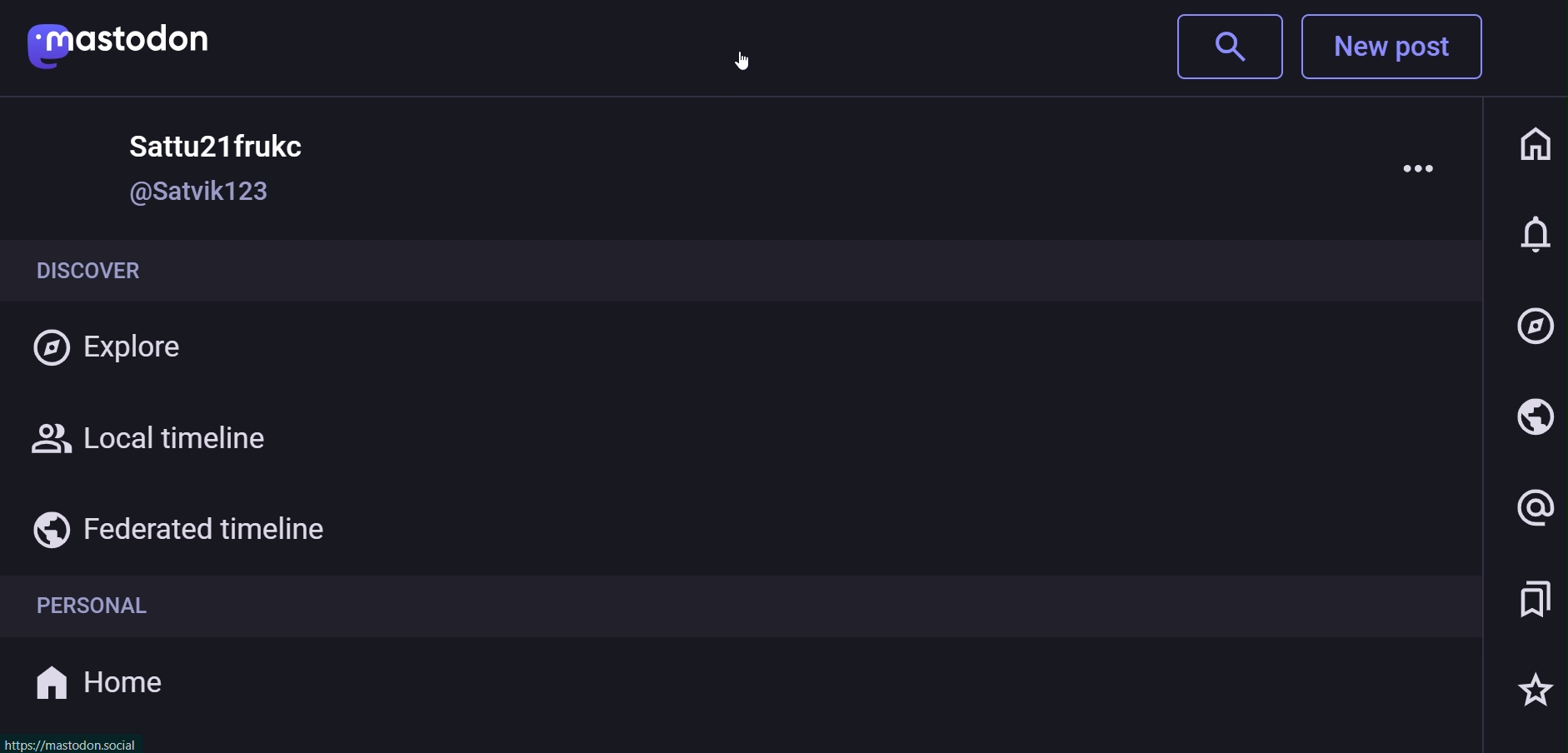 Image resolution: width=1568 pixels, height=753 pixels. I want to click on home, so click(100, 683).